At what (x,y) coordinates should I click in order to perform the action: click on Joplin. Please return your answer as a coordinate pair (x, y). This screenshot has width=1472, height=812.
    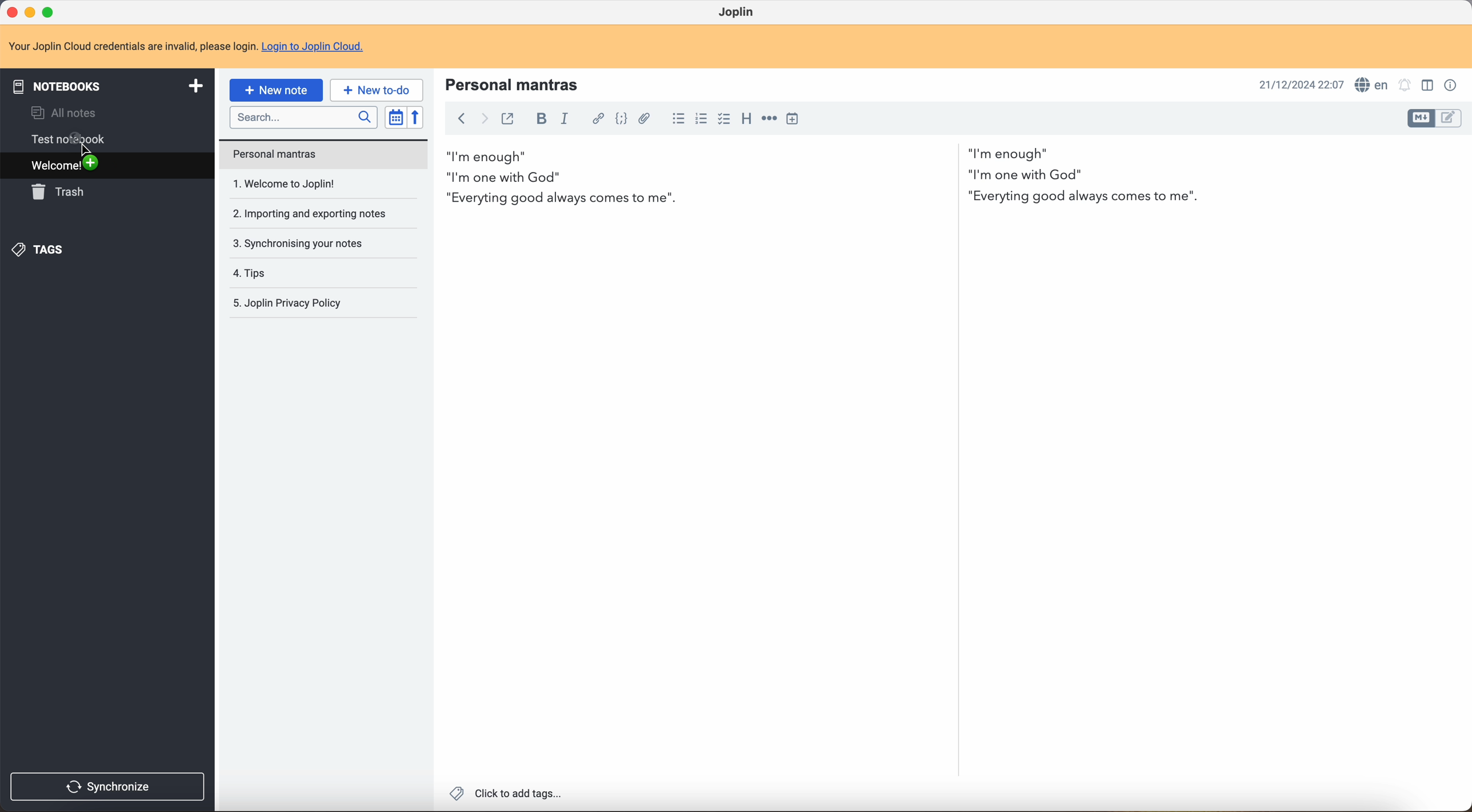
    Looking at the image, I should click on (739, 11).